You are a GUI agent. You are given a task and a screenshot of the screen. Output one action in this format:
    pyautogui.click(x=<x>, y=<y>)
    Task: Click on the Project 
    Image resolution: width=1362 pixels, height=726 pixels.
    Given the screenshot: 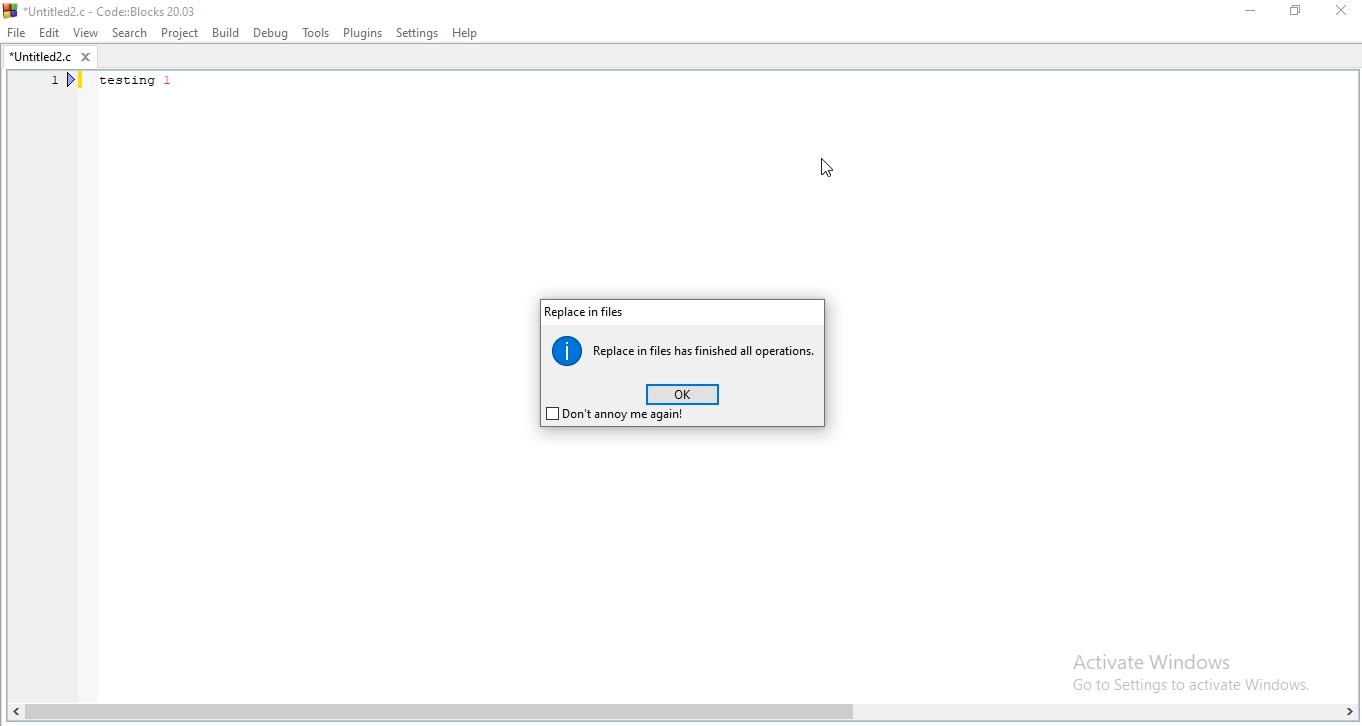 What is the action you would take?
    pyautogui.click(x=181, y=32)
    